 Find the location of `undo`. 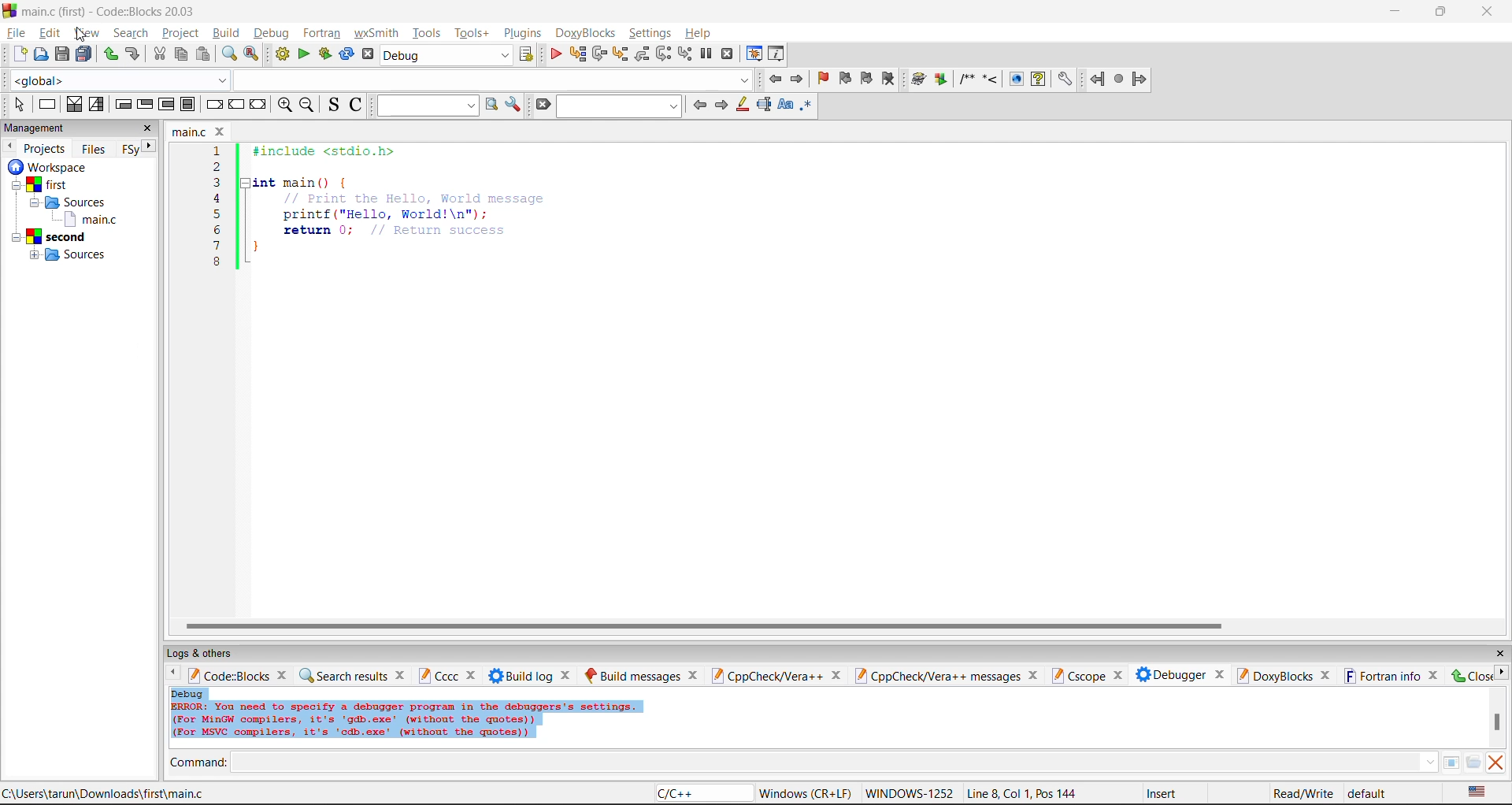

undo is located at coordinates (110, 55).